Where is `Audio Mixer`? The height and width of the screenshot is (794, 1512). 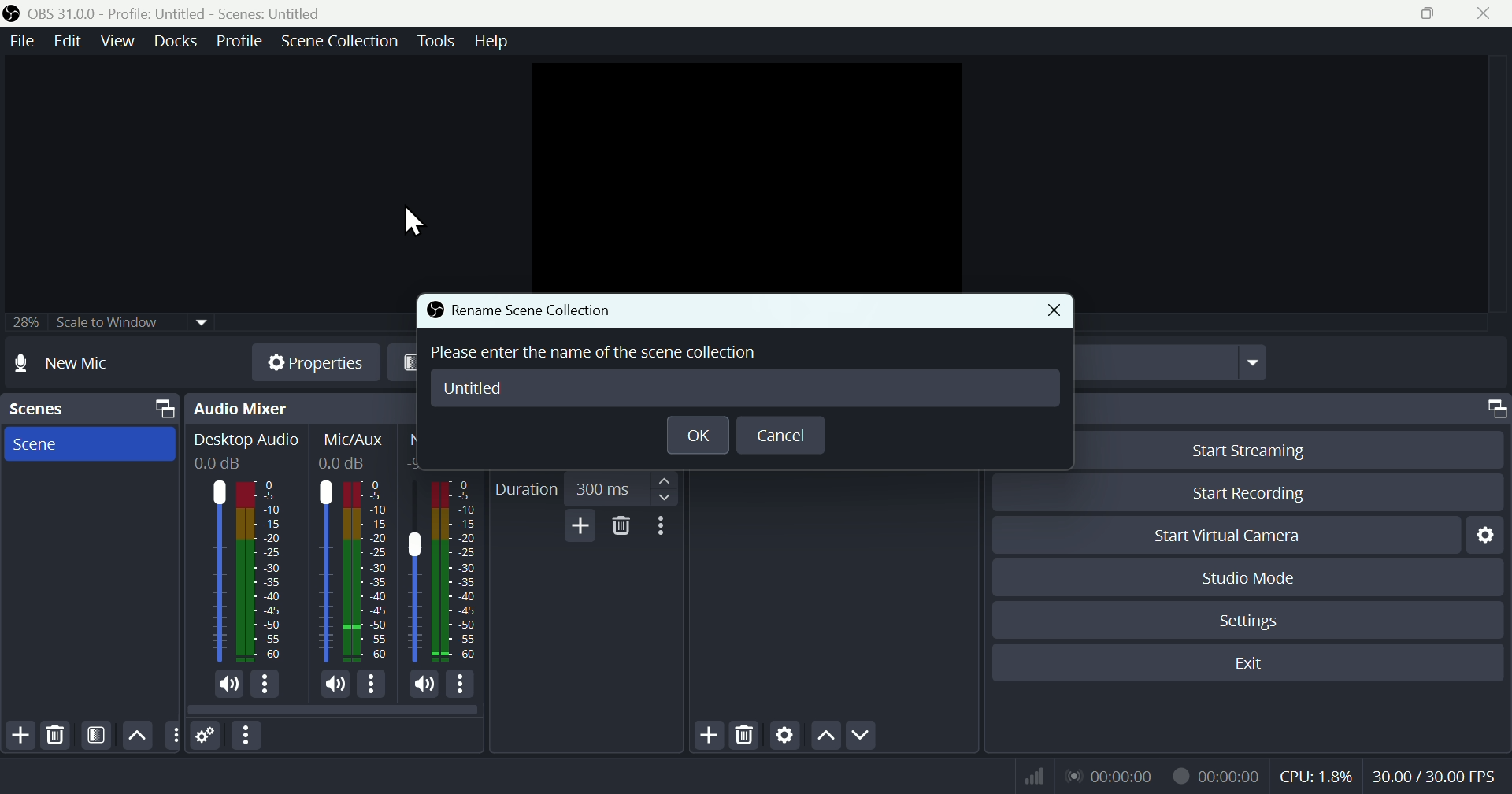 Audio Mixer is located at coordinates (292, 408).